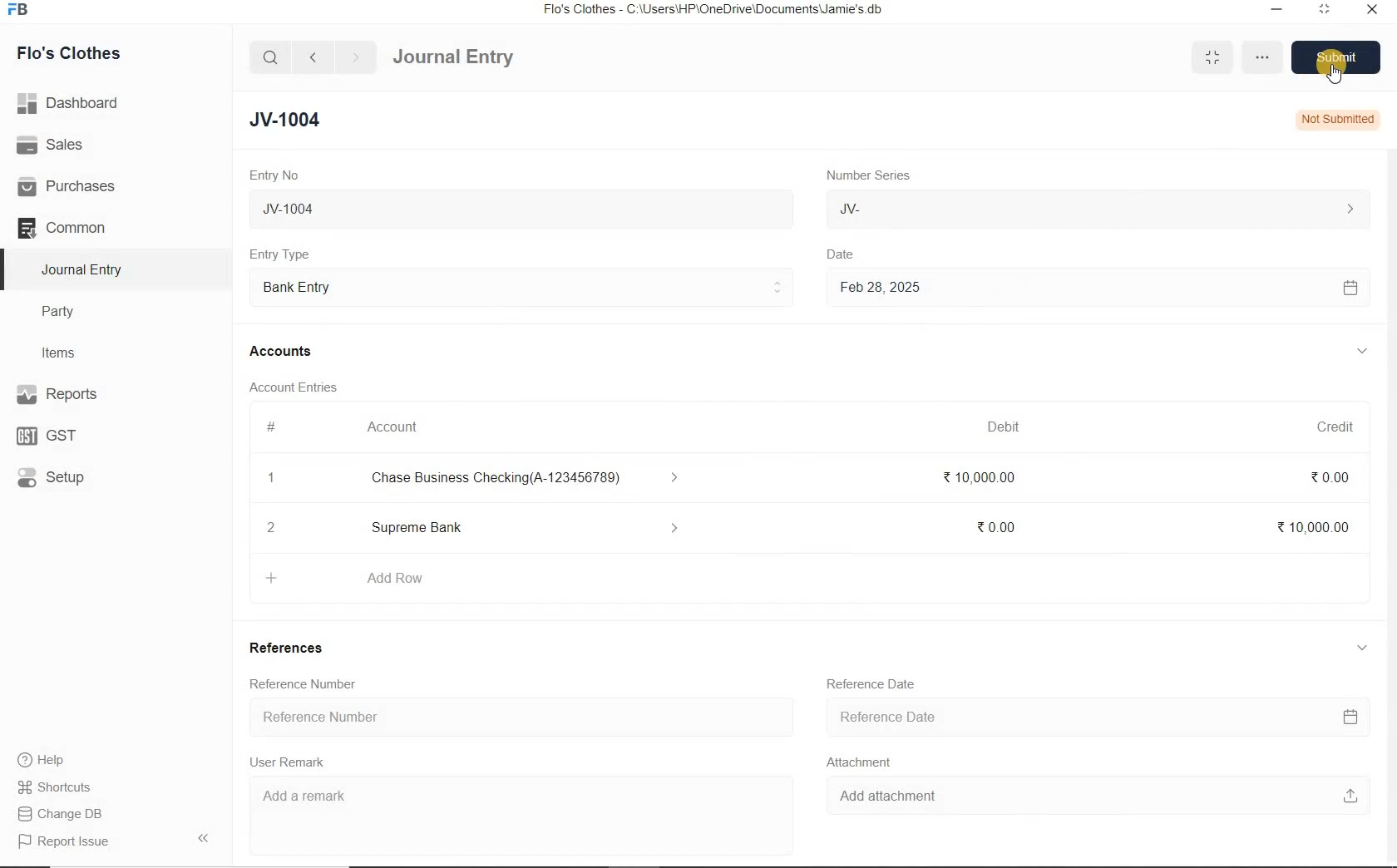  Describe the element at coordinates (867, 764) in the screenshot. I see `Attachment` at that location.